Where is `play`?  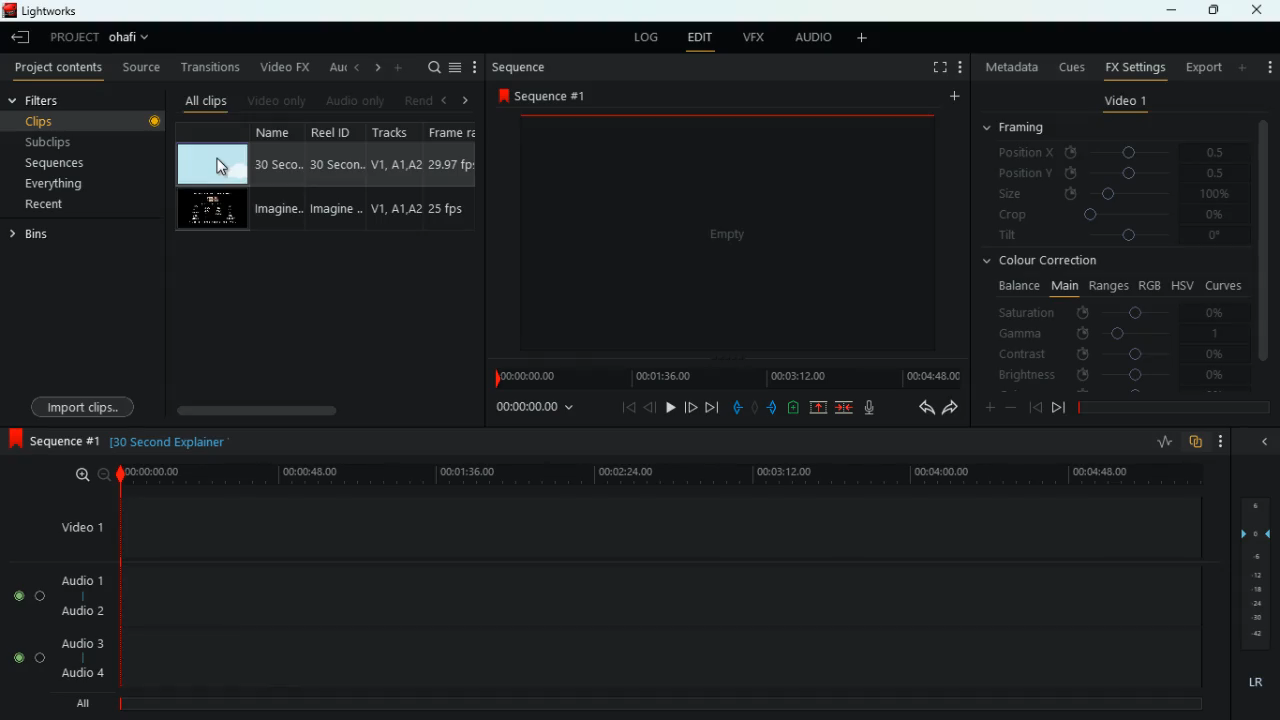 play is located at coordinates (670, 408).